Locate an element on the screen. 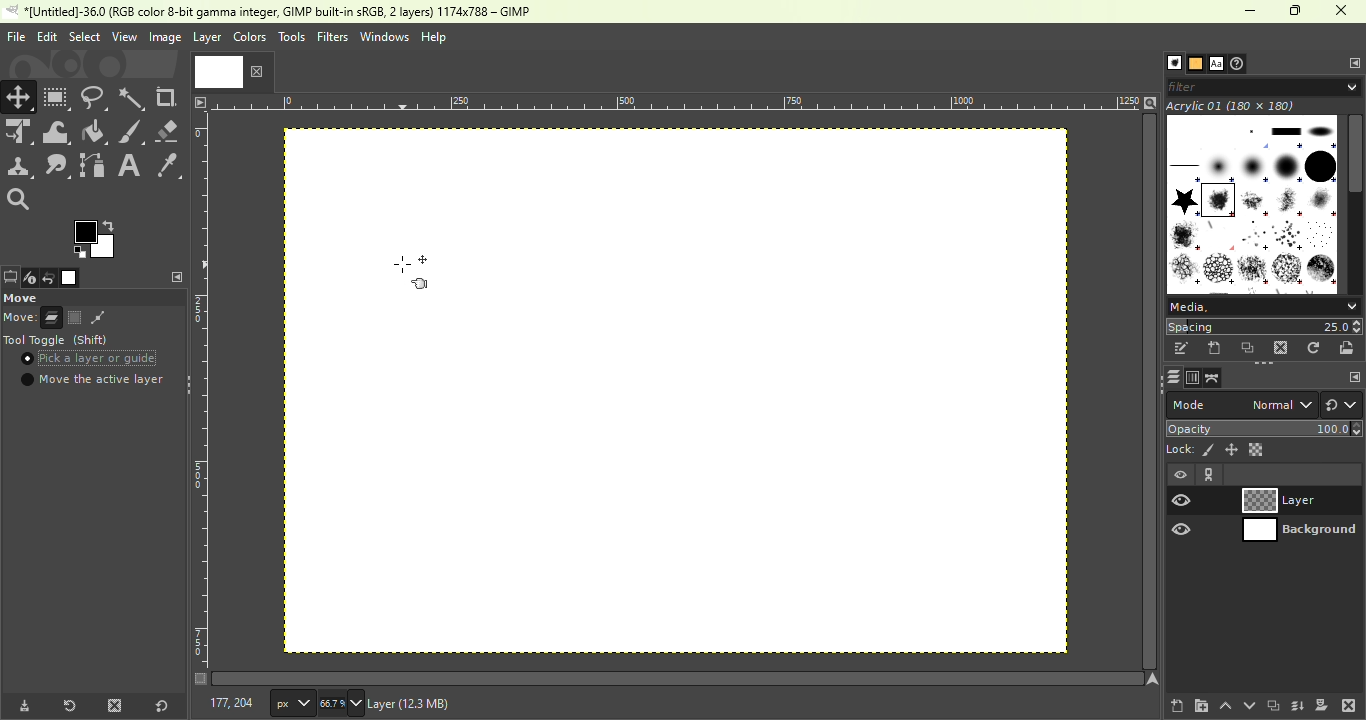 The width and height of the screenshot is (1366, 720). Clone tool is located at coordinates (20, 168).